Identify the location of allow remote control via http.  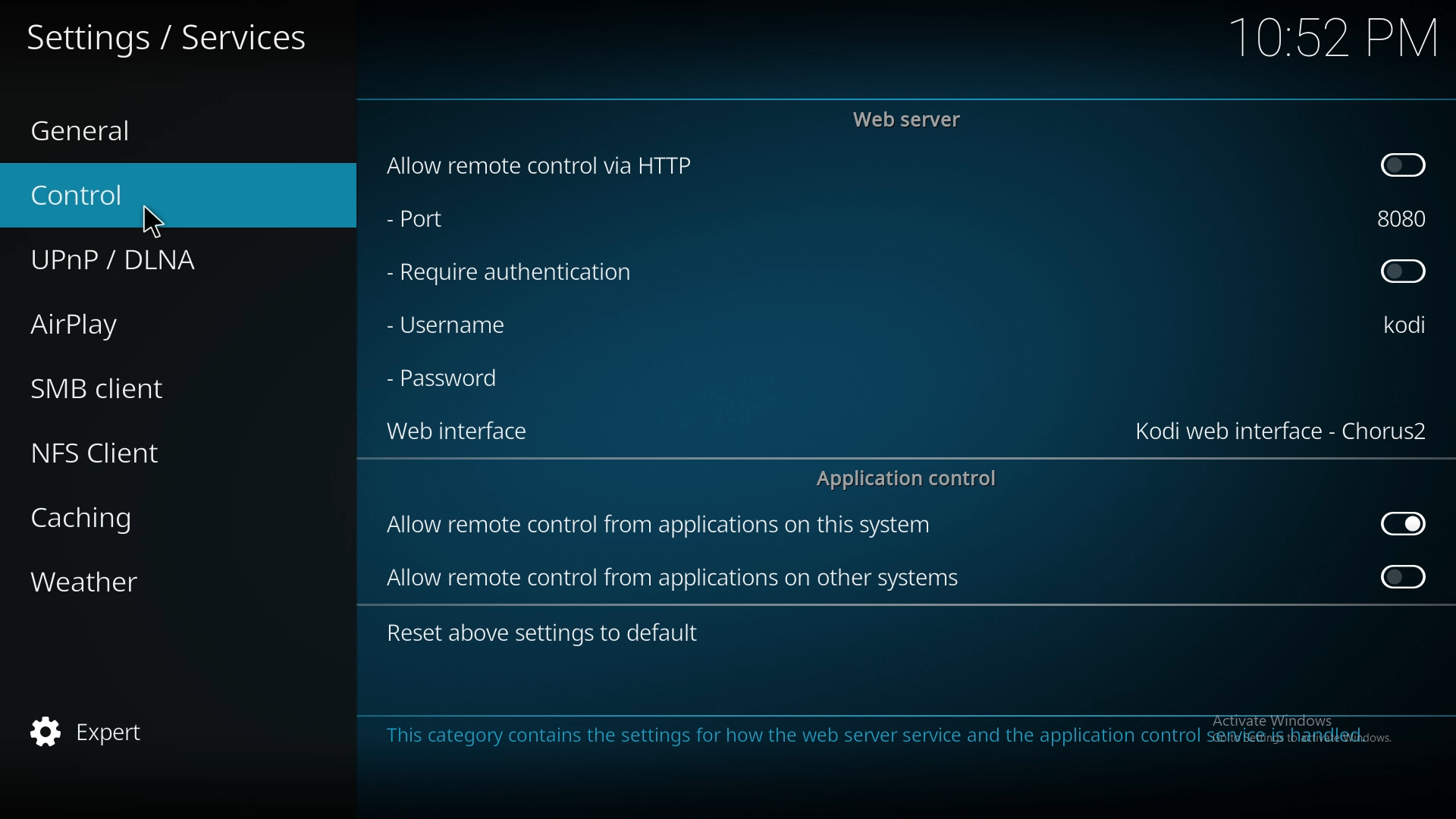
(537, 165).